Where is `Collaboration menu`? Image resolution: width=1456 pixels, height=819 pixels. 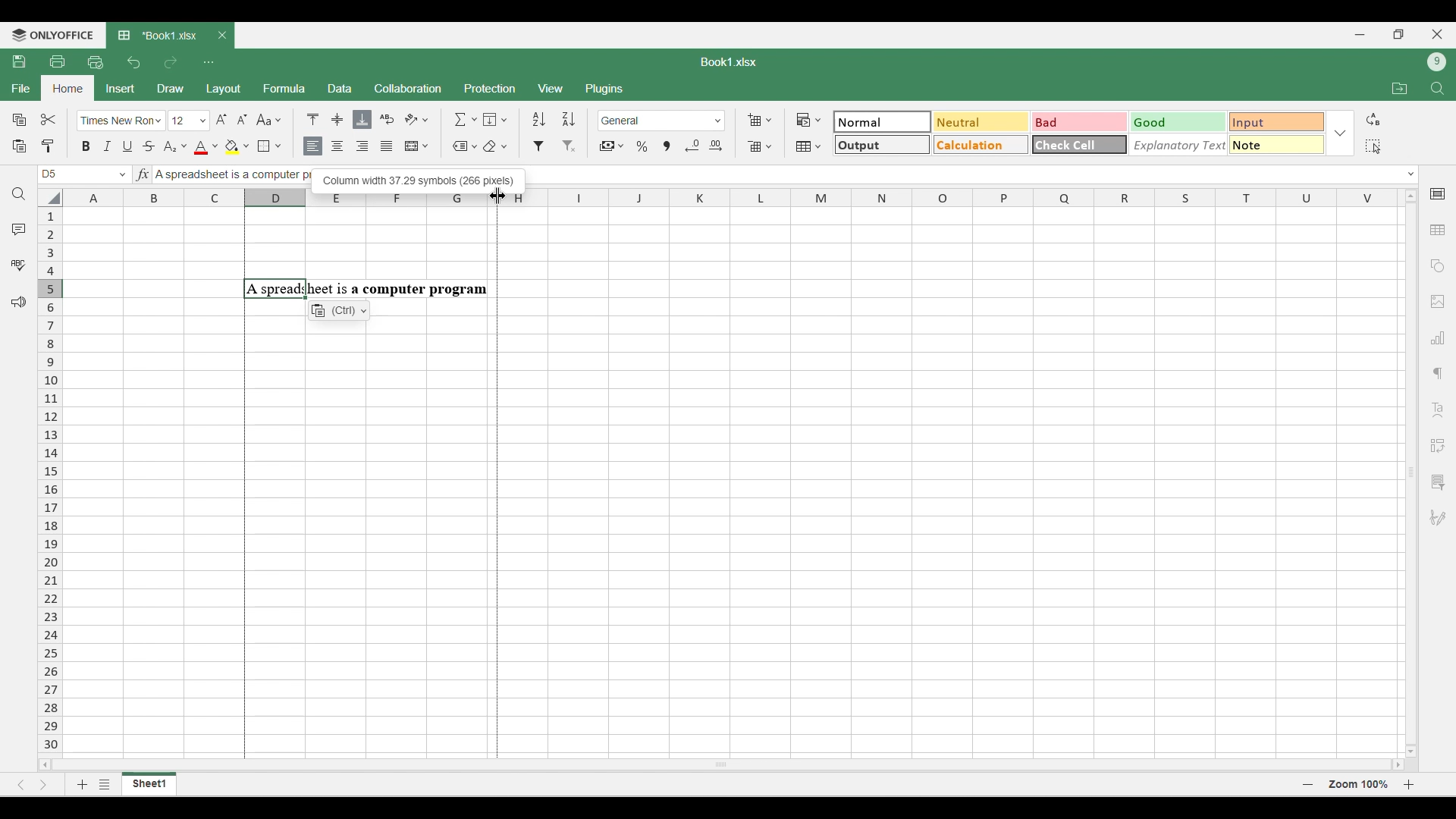 Collaboration menu is located at coordinates (409, 88).